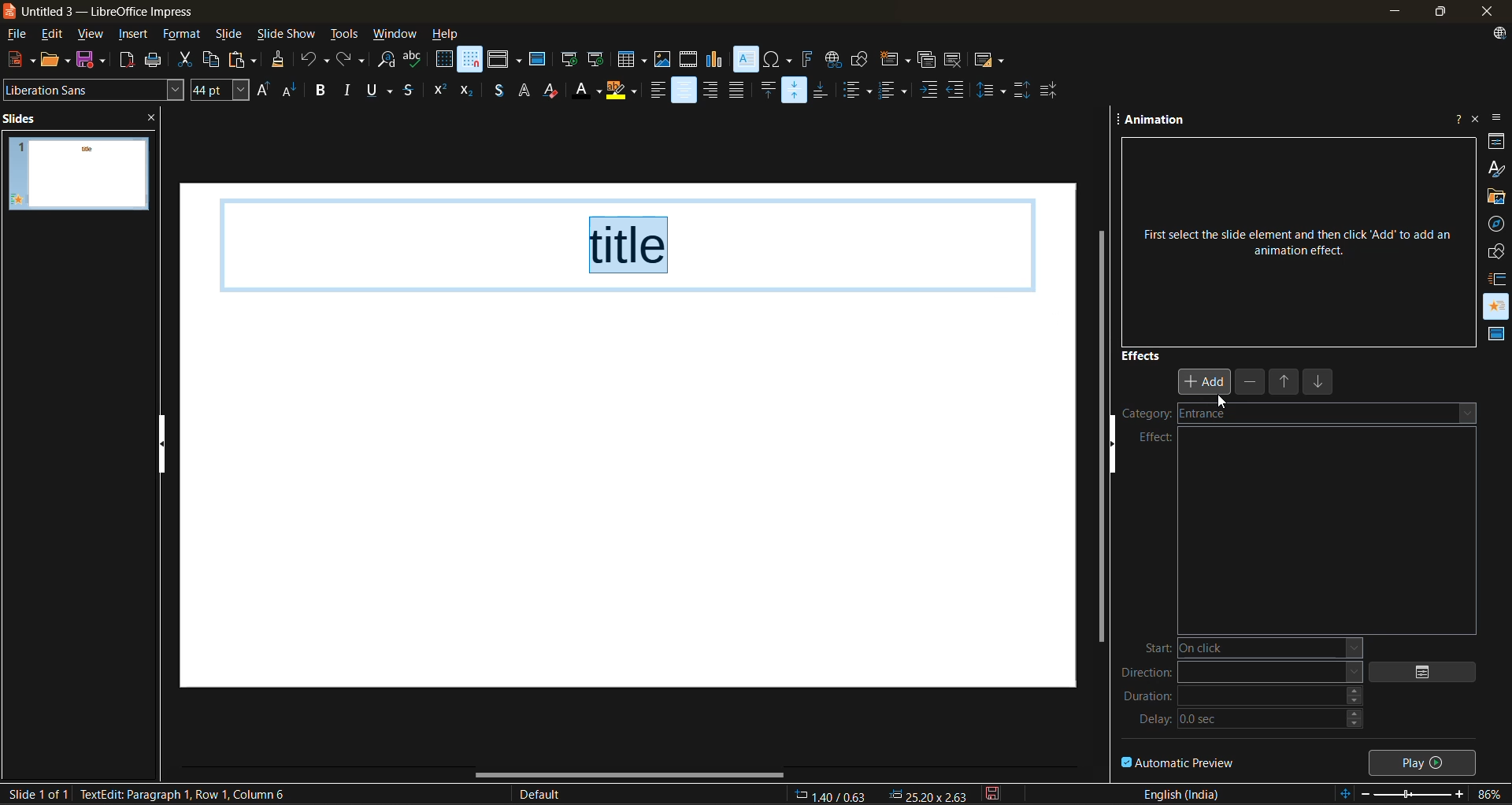 This screenshot has width=1512, height=805. I want to click on display grid, so click(444, 59).